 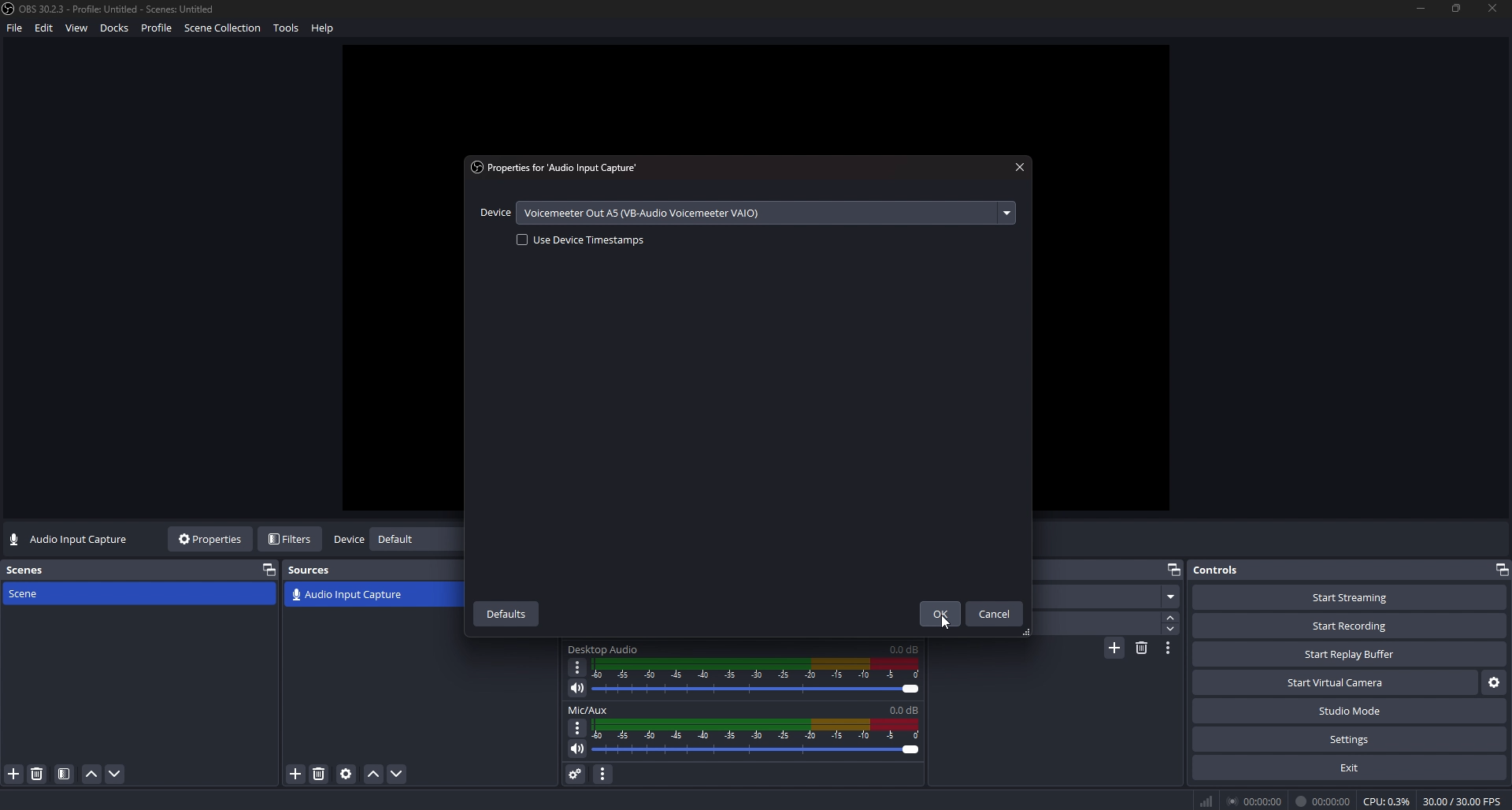 I want to click on tools, so click(x=290, y=31).